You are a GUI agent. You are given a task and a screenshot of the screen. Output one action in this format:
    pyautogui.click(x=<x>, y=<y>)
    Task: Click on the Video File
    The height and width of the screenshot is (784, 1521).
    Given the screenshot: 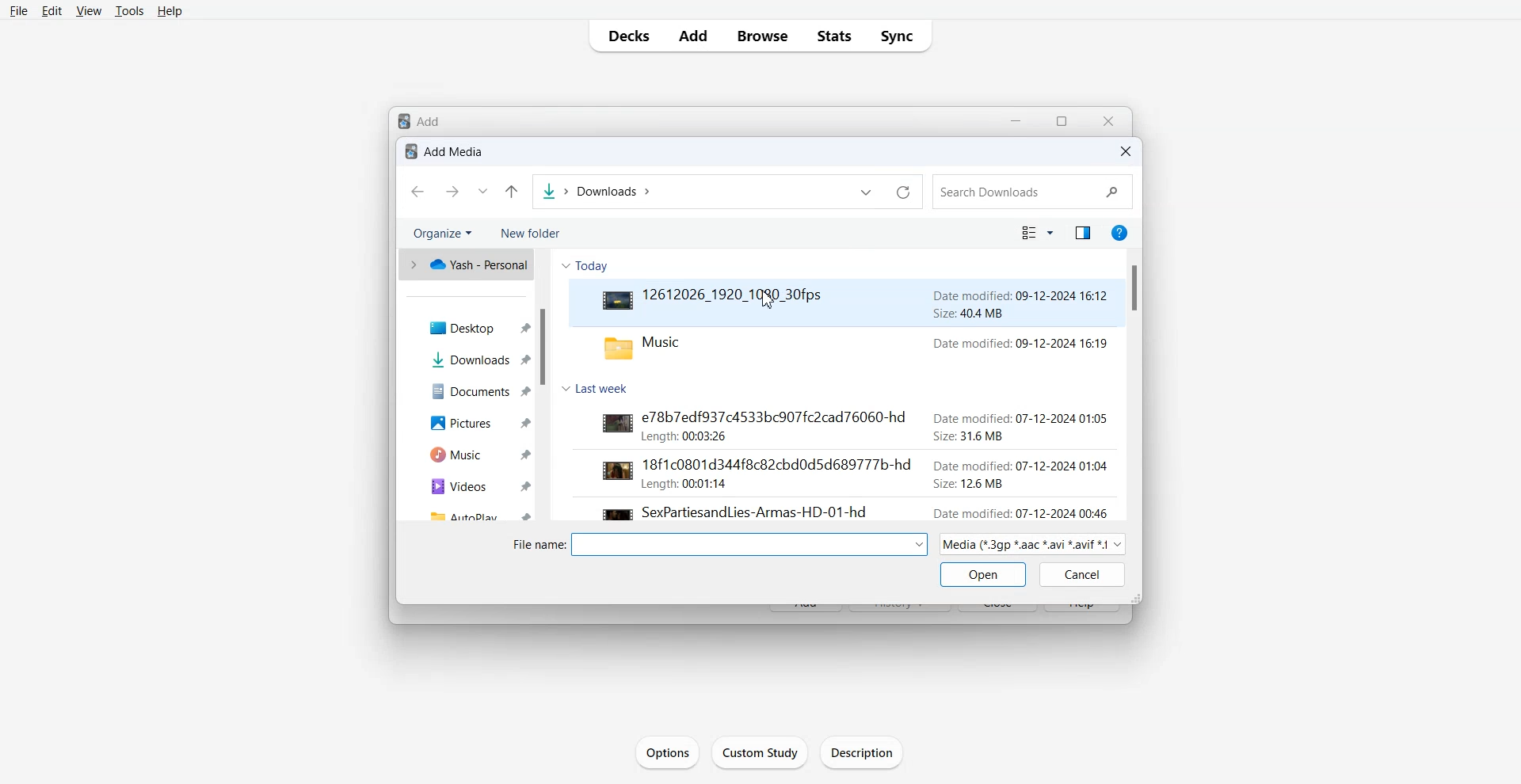 What is the action you would take?
    pyautogui.click(x=840, y=303)
    